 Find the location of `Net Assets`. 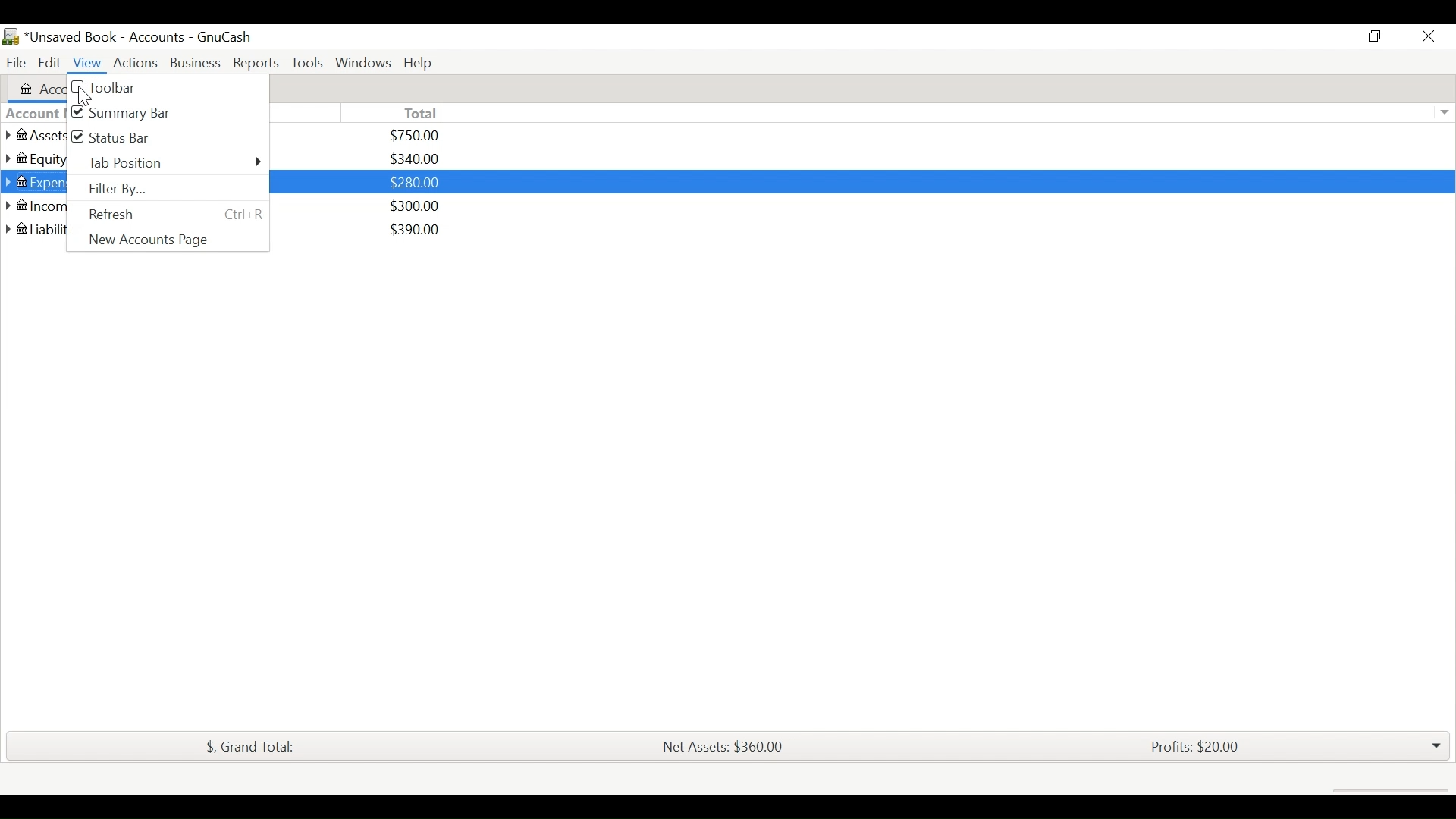

Net Assets is located at coordinates (721, 747).